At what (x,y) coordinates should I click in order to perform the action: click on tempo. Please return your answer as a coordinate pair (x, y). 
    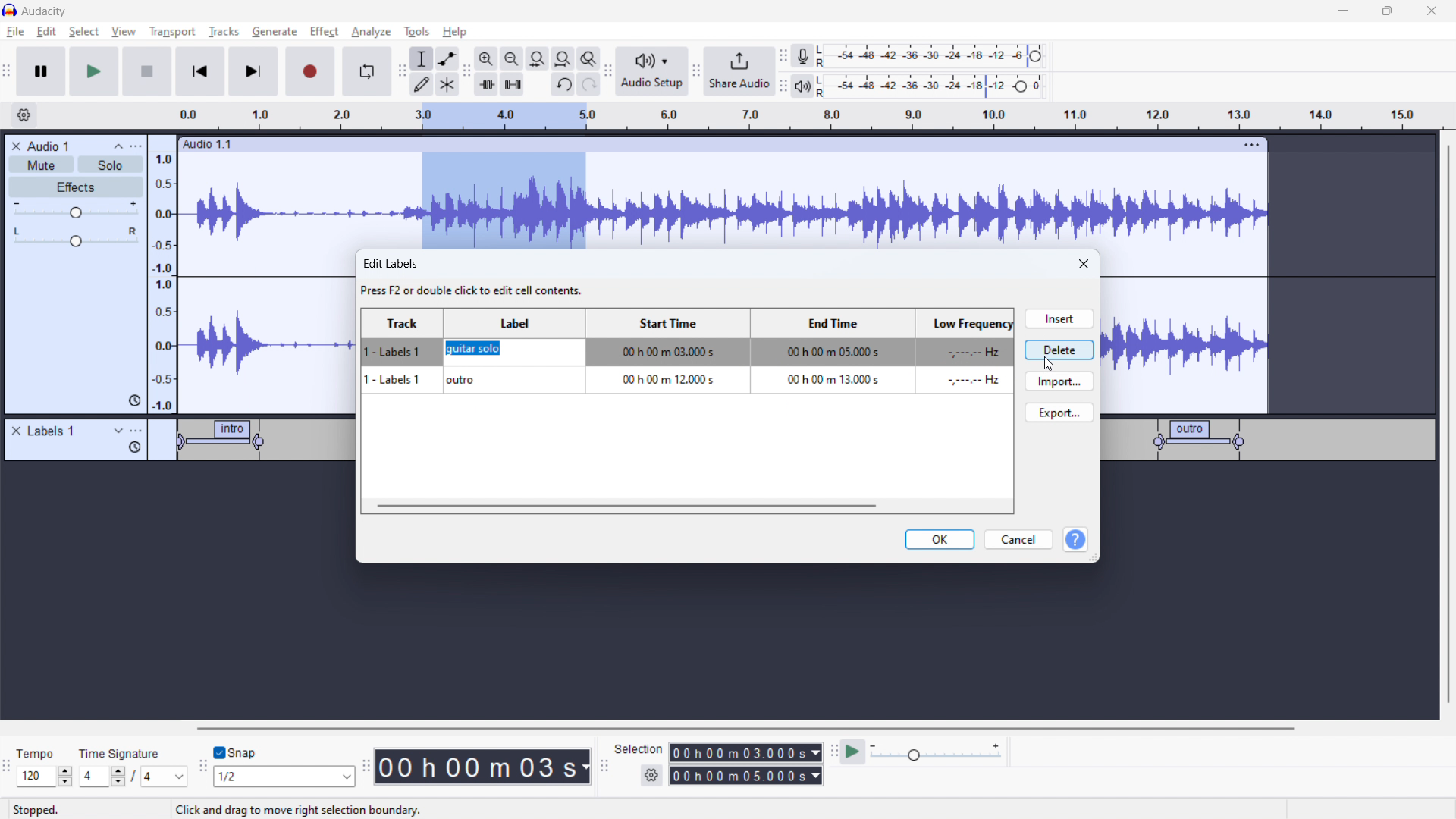
    Looking at the image, I should click on (45, 753).